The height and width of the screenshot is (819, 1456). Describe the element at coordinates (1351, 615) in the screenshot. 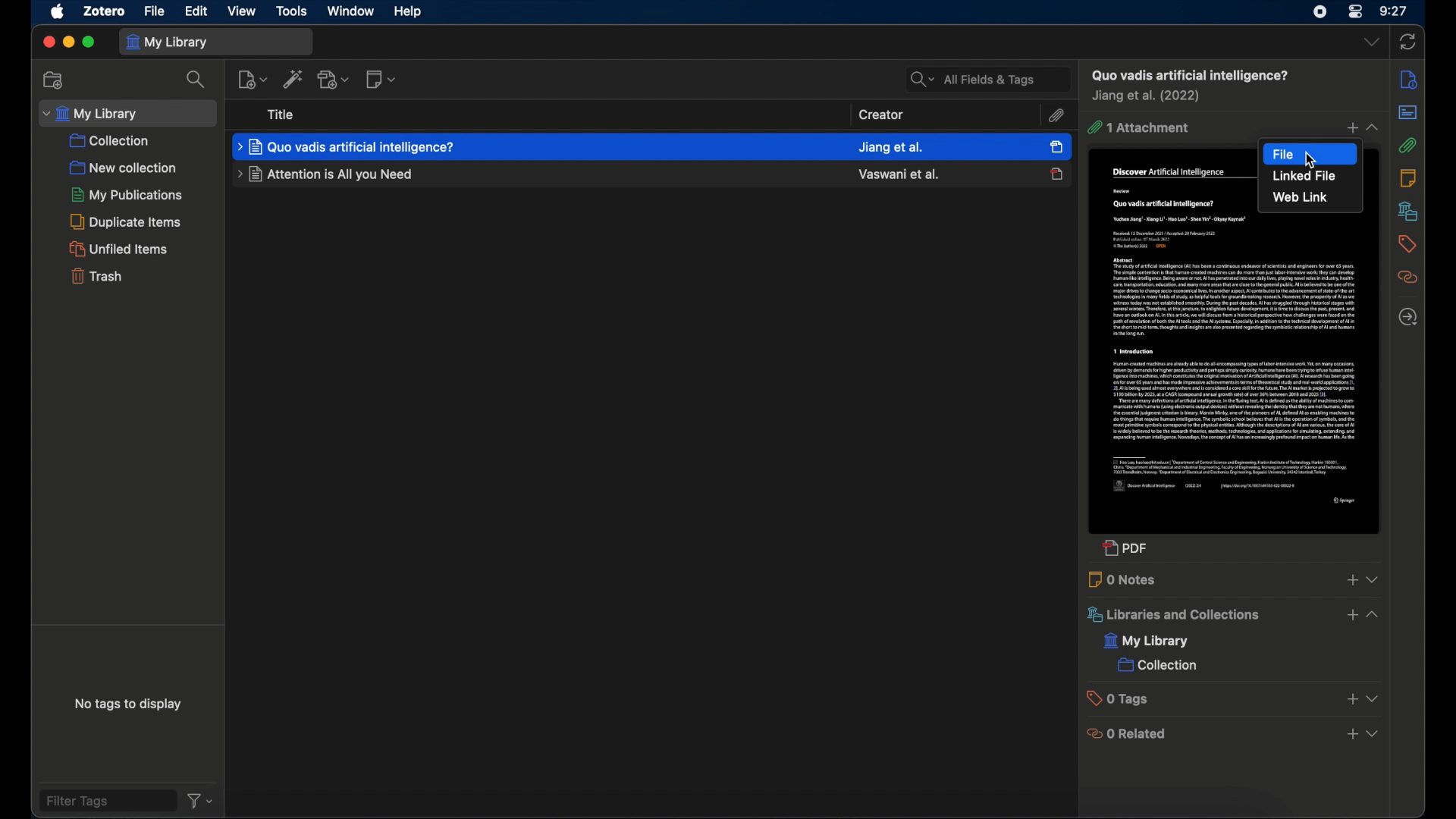

I see `add` at that location.